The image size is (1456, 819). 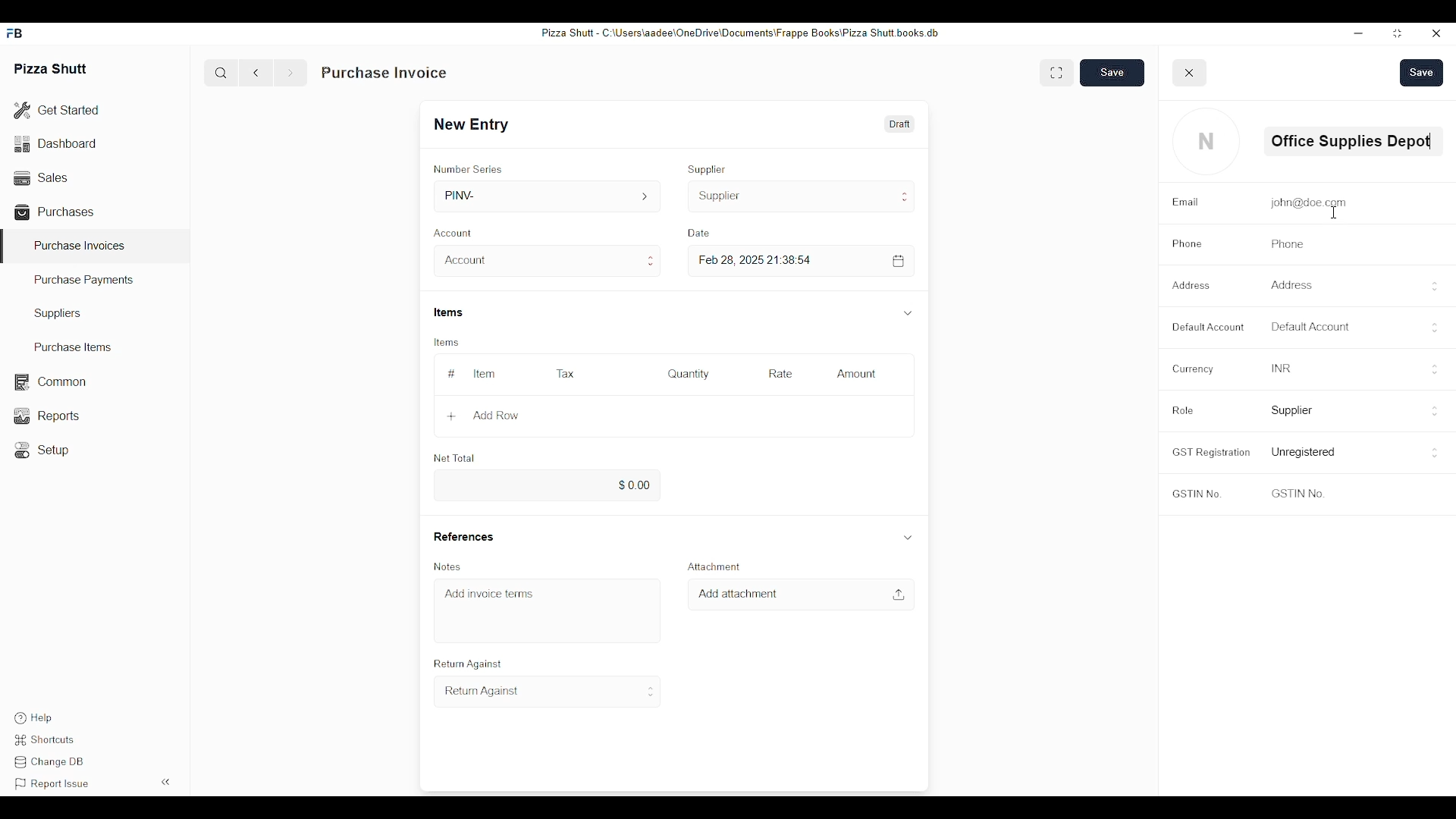 What do you see at coordinates (908, 536) in the screenshot?
I see `down` at bounding box center [908, 536].